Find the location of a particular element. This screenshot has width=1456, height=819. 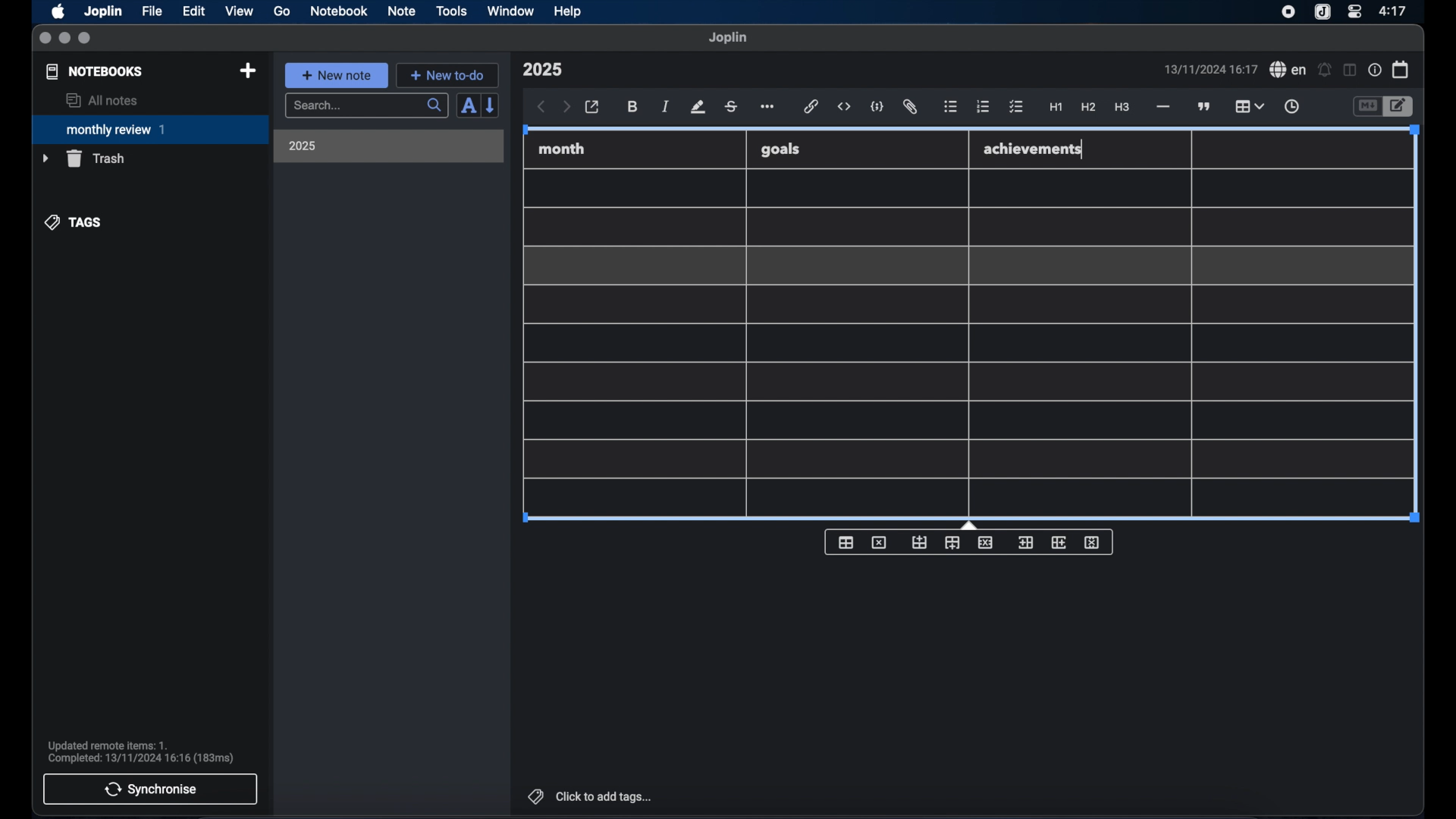

heading 1 is located at coordinates (1056, 108).